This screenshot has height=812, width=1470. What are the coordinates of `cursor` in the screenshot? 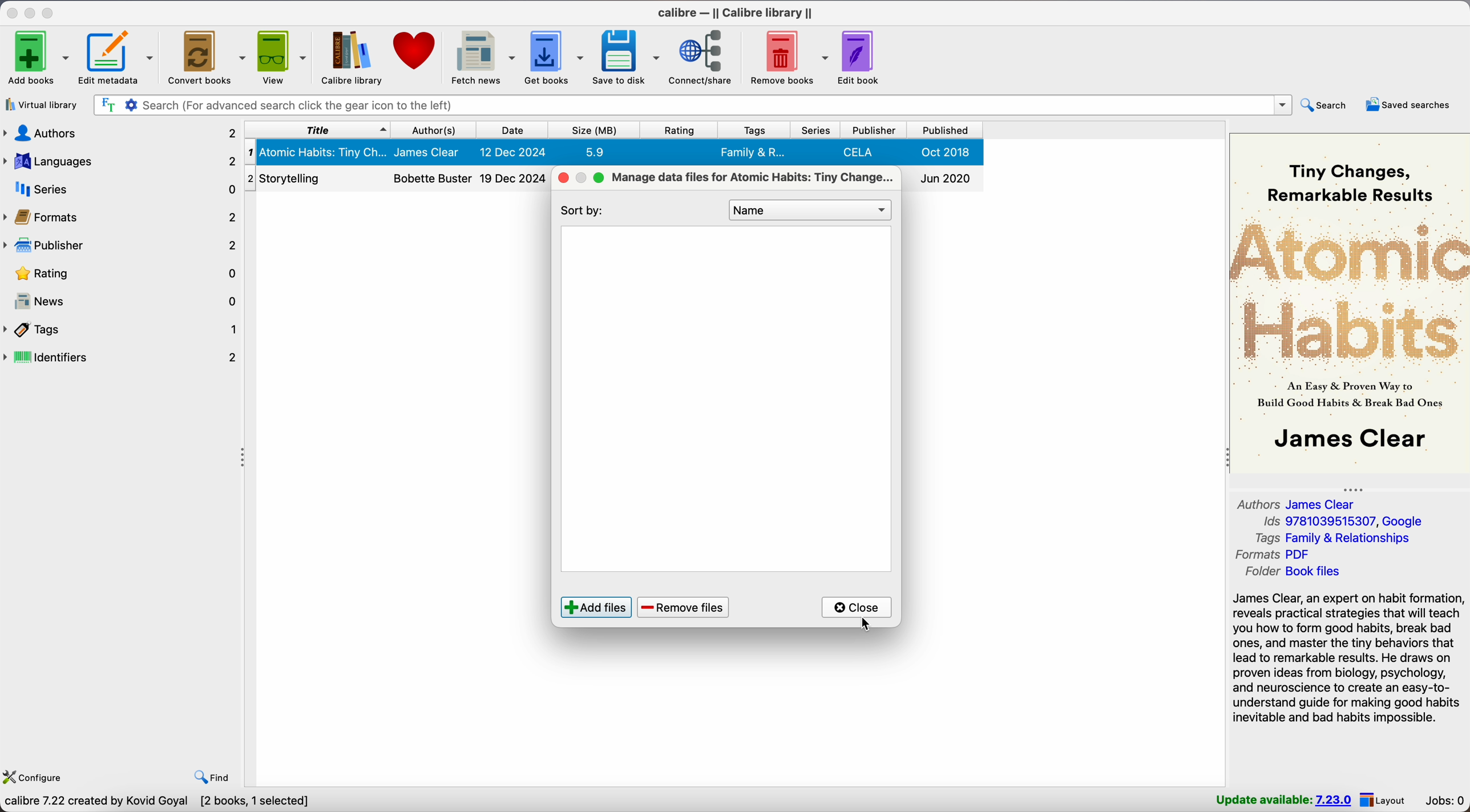 It's located at (865, 626).